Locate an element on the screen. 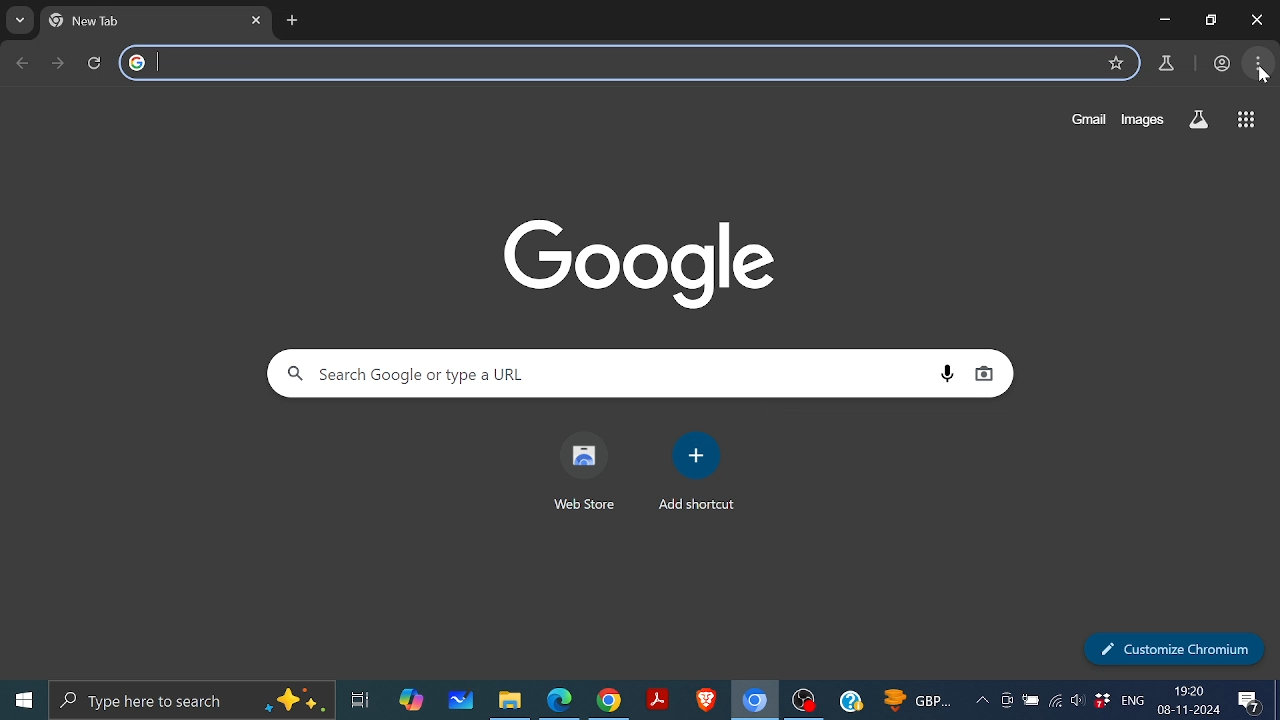  Customize chromium is located at coordinates (1175, 650).